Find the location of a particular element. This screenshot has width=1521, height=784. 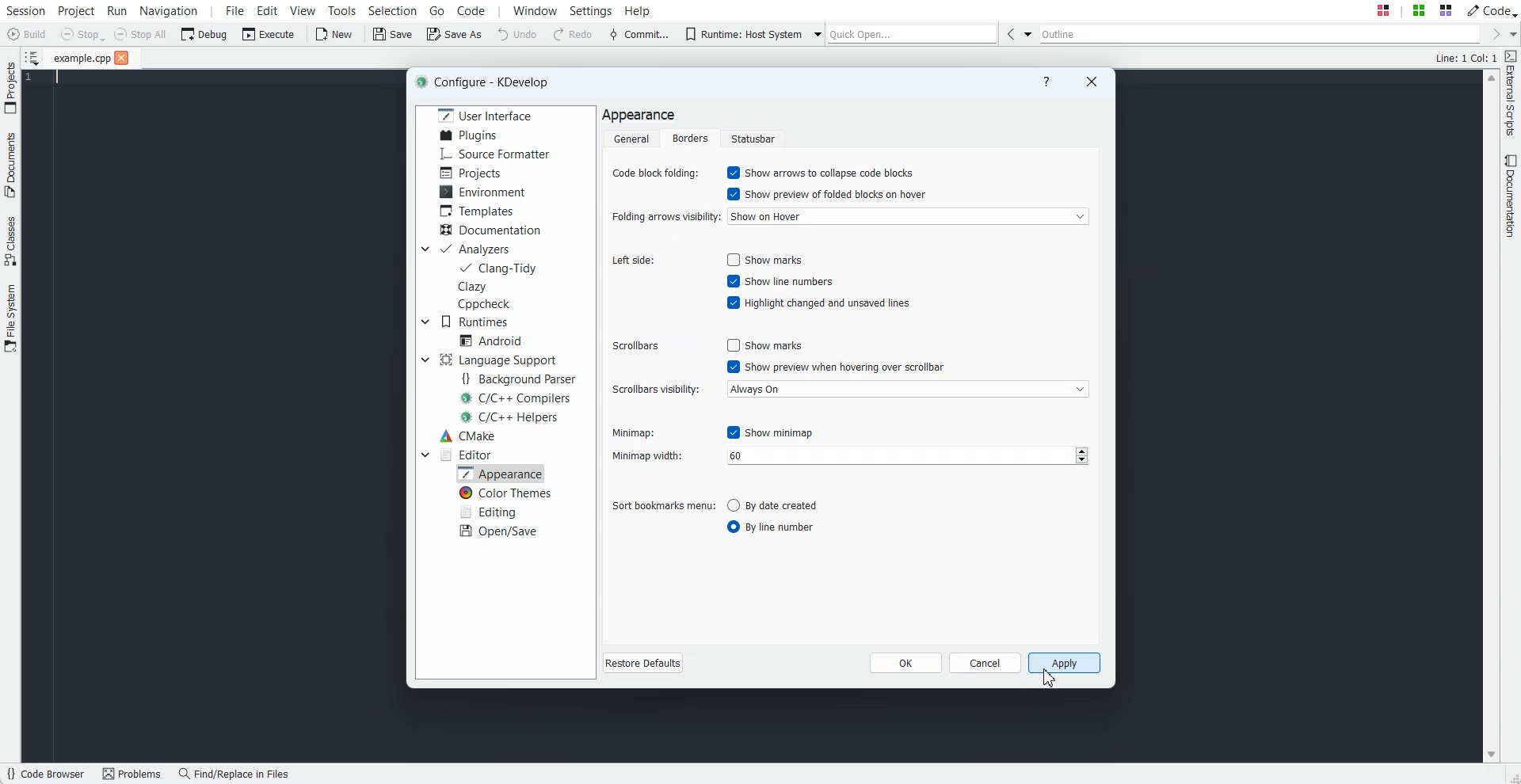

Open/Save is located at coordinates (500, 531).